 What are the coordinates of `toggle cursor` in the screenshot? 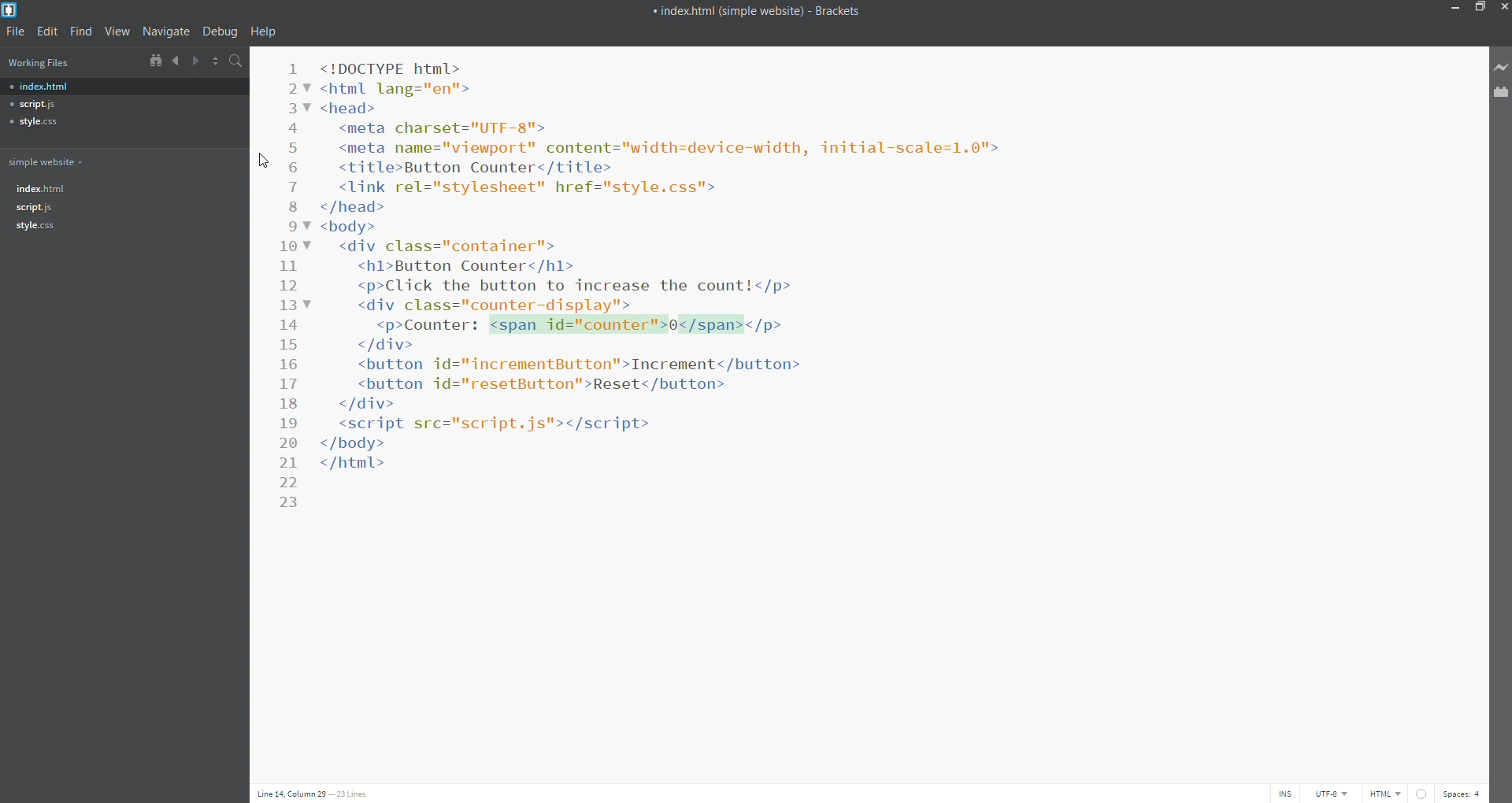 It's located at (1284, 792).